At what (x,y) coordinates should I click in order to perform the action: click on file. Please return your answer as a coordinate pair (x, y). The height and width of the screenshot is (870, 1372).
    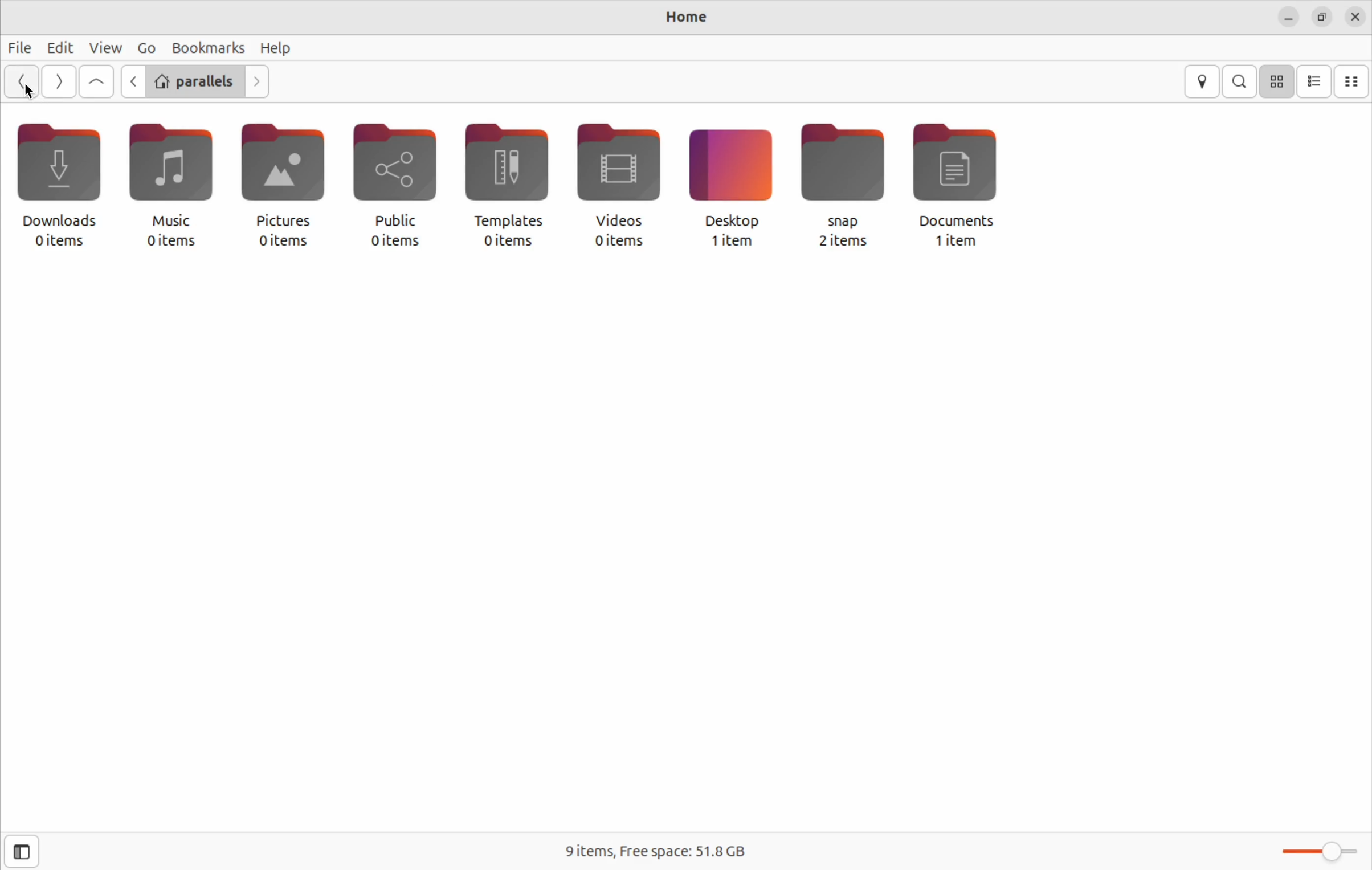
    Looking at the image, I should click on (21, 47).